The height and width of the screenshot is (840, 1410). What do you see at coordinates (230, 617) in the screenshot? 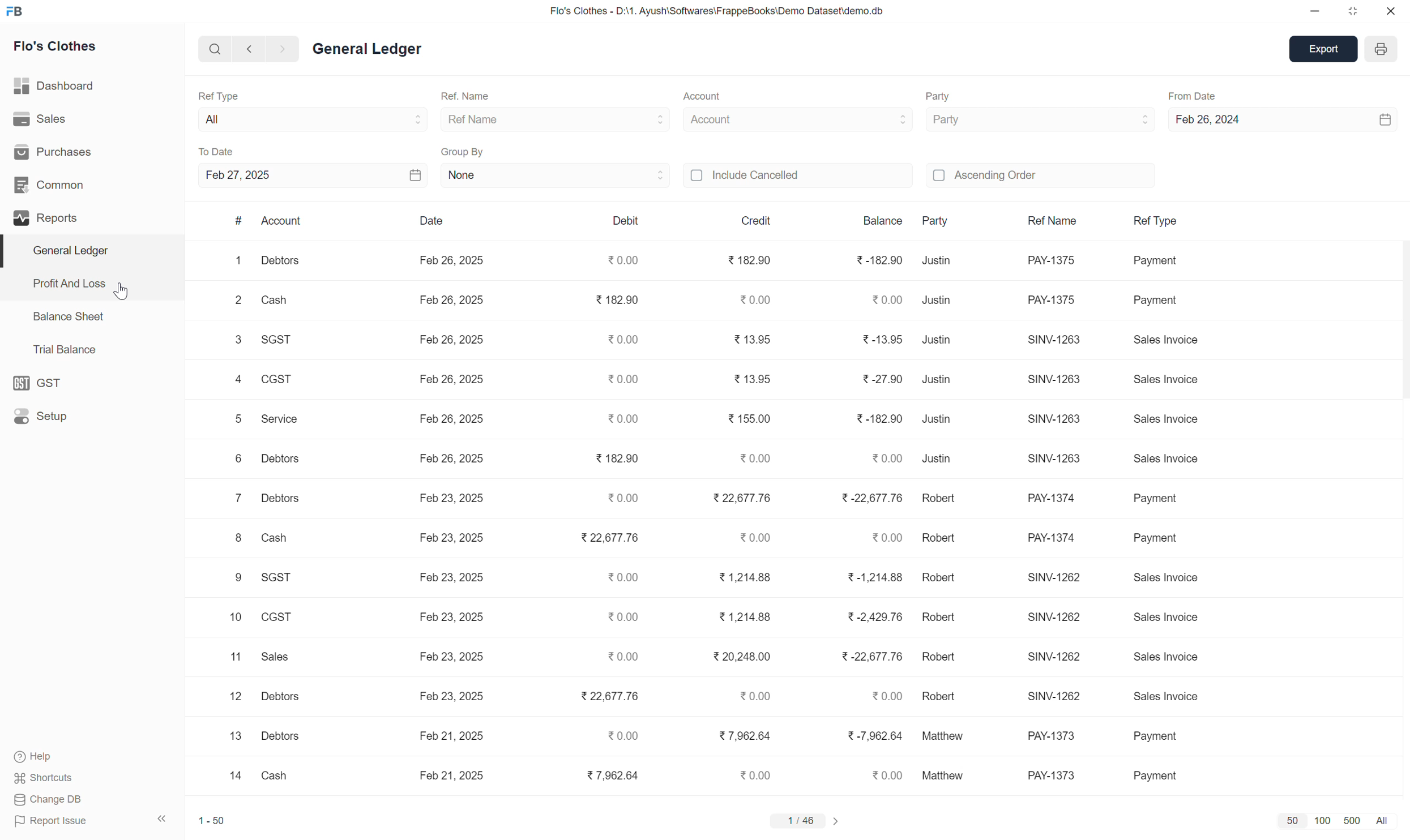
I see `10` at bounding box center [230, 617].